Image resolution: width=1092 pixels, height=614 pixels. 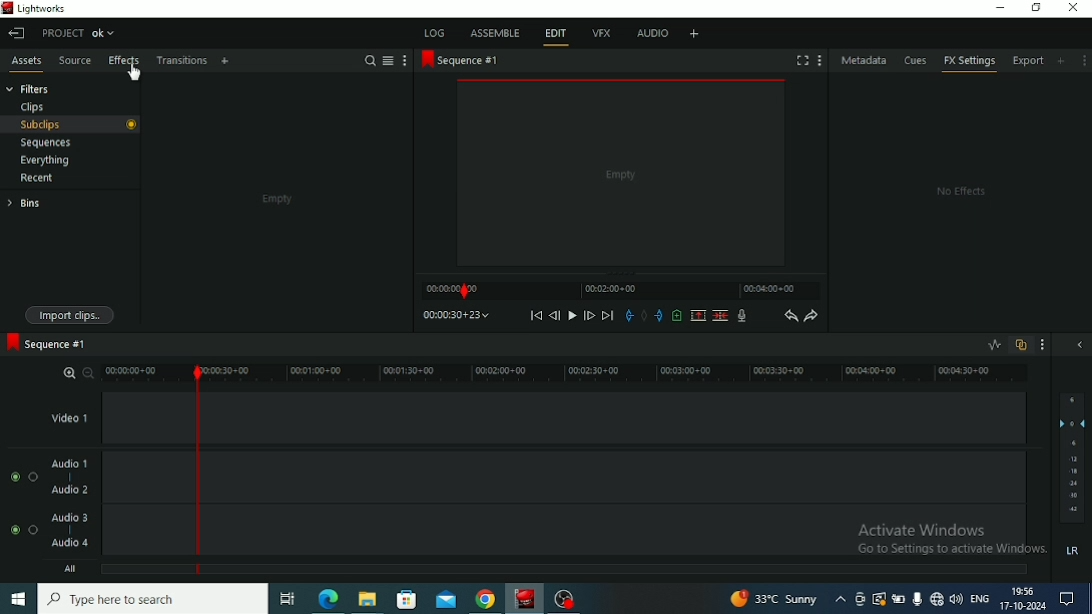 I want to click on Text "no effects", so click(x=958, y=192).